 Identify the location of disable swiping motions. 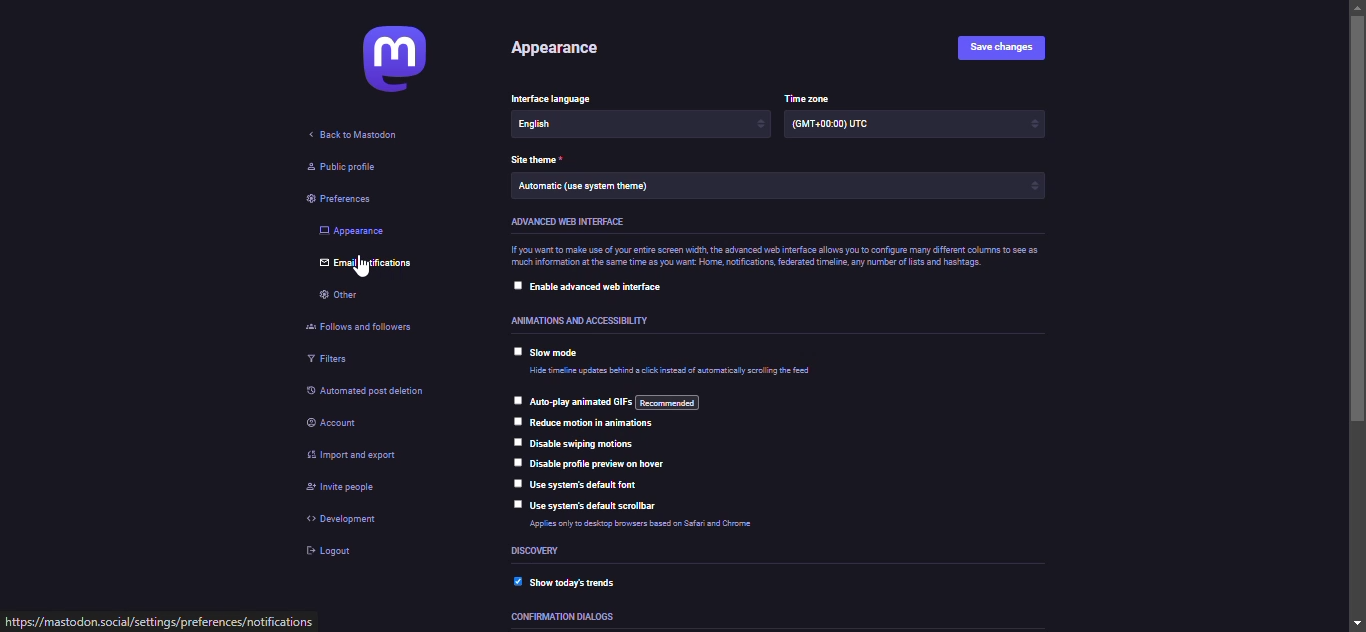
(580, 444).